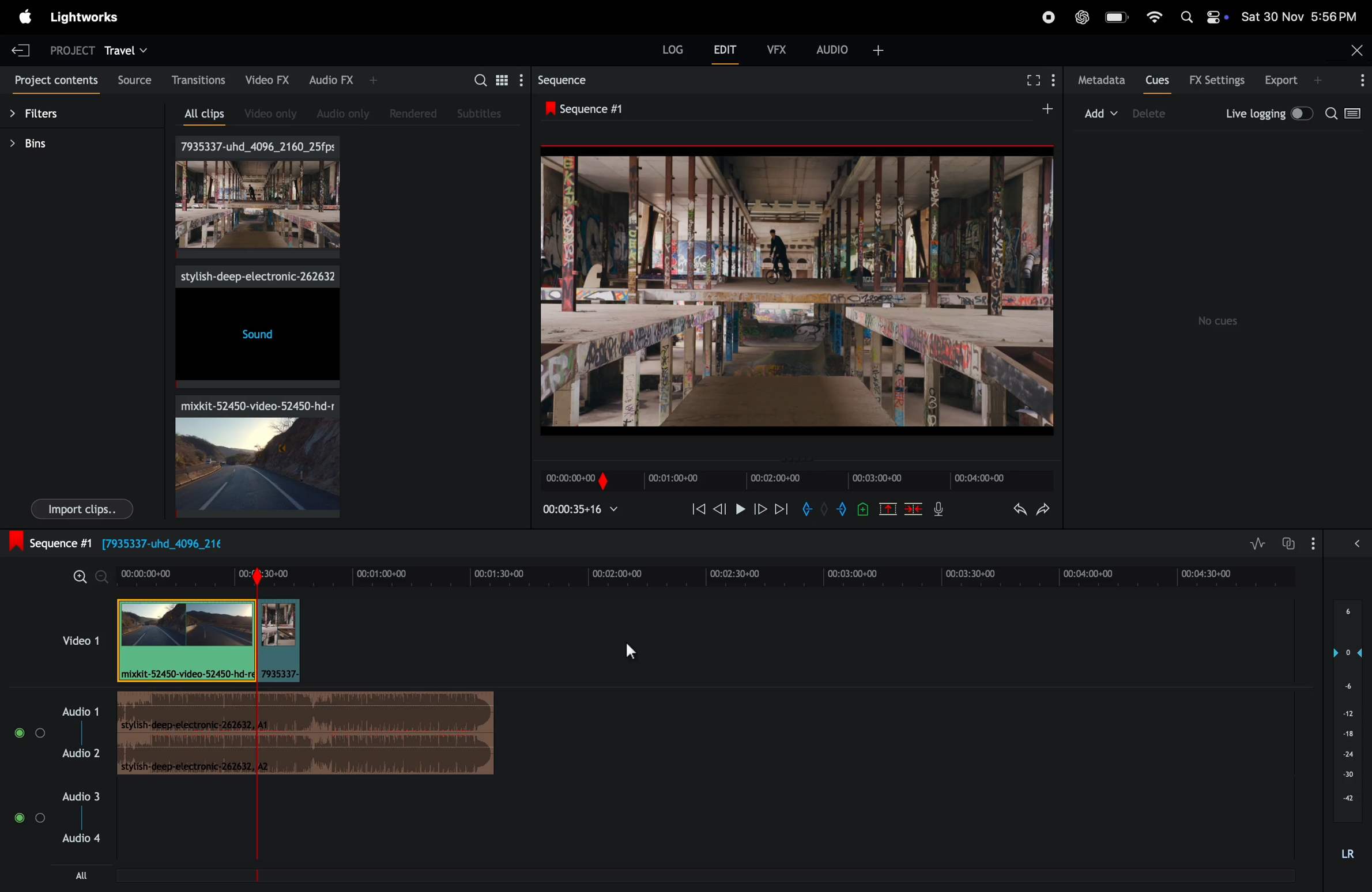  What do you see at coordinates (480, 112) in the screenshot?
I see `subtitles` at bounding box center [480, 112].